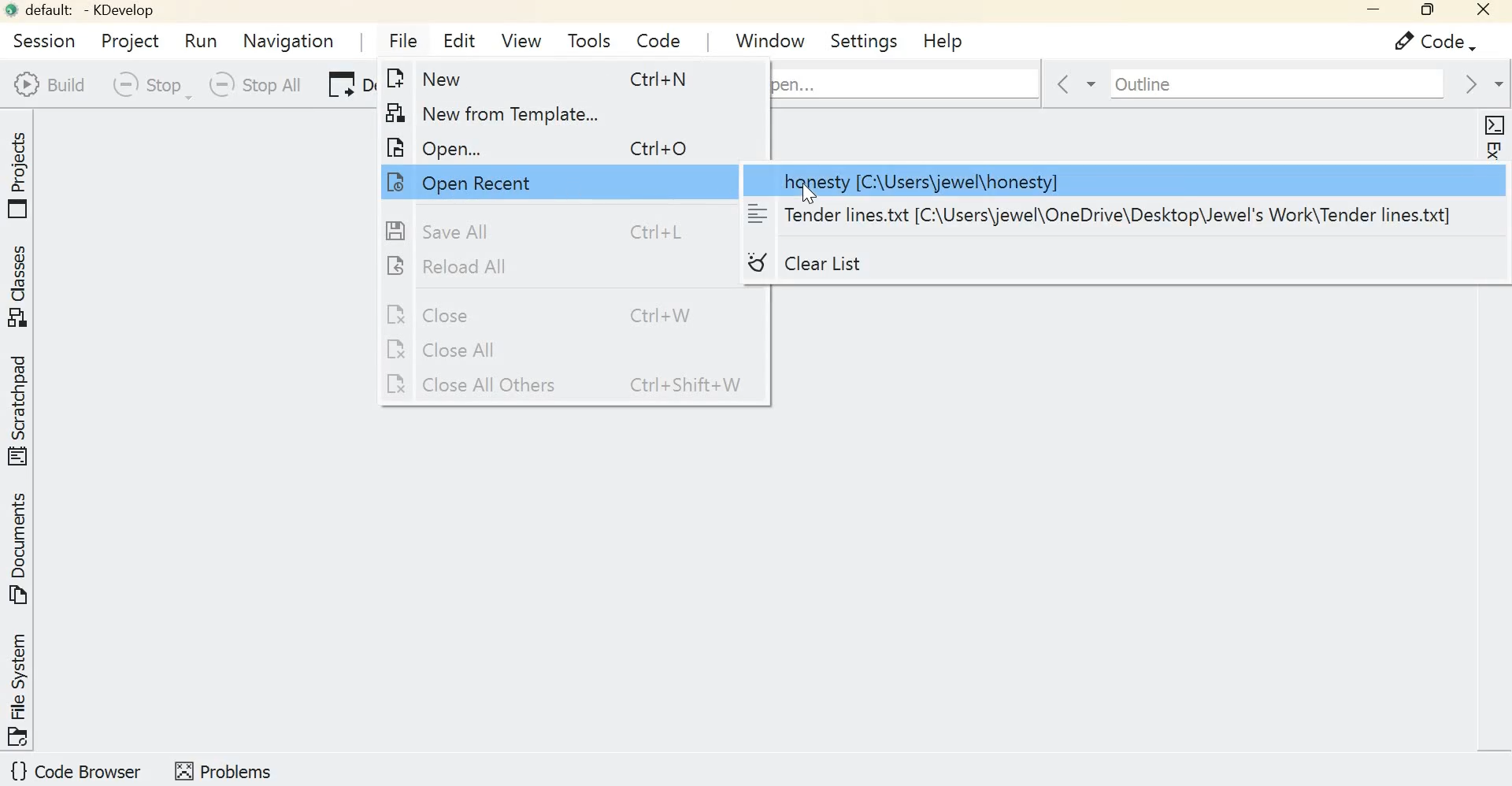 The image size is (1512, 786). I want to click on Tender lines.txt [C:\Users\jewel\OneDrive\Desktop\Jewel's Work\Tender lines.txt], so click(1102, 215).